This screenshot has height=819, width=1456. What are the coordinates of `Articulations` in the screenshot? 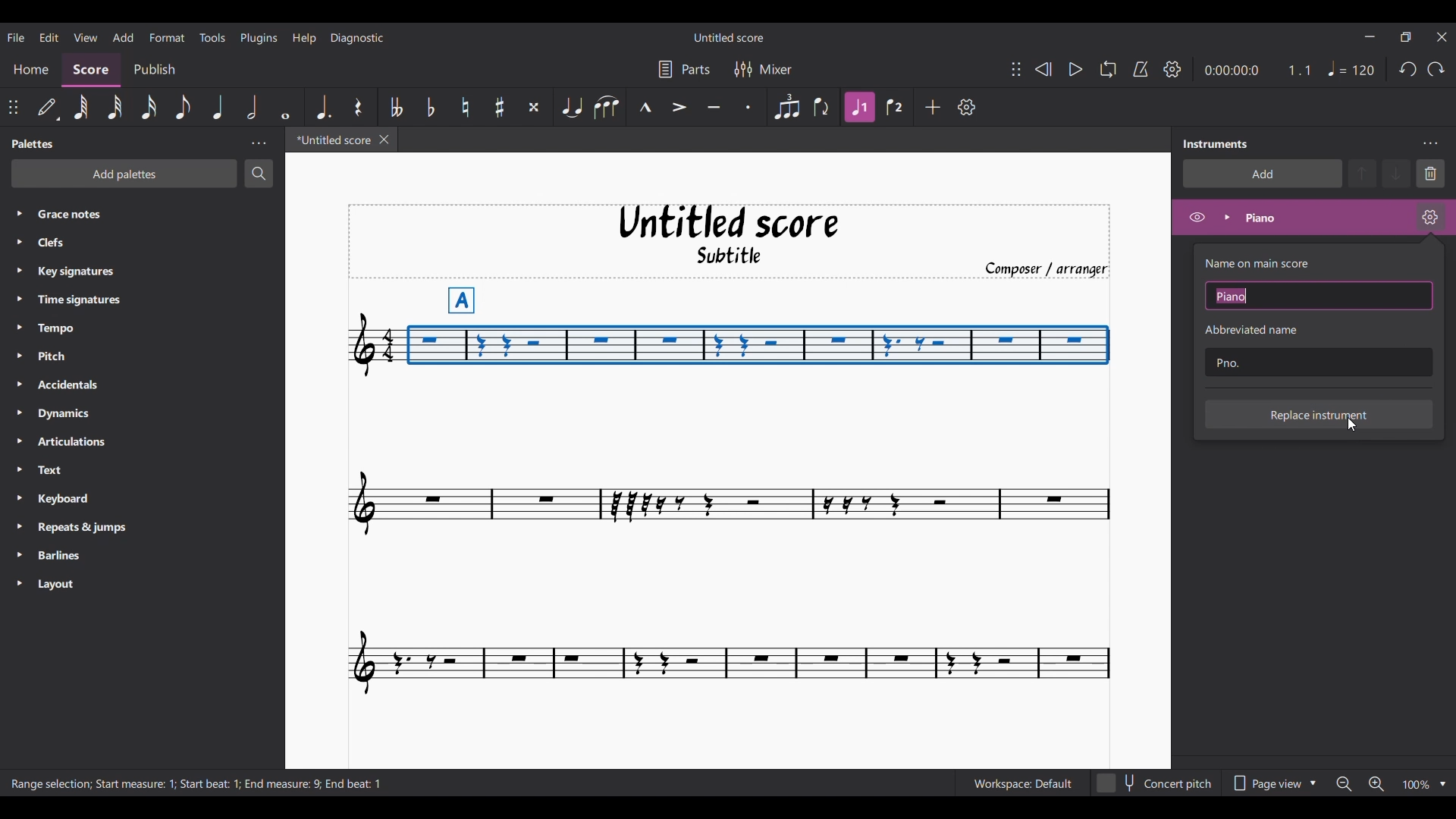 It's located at (85, 442).